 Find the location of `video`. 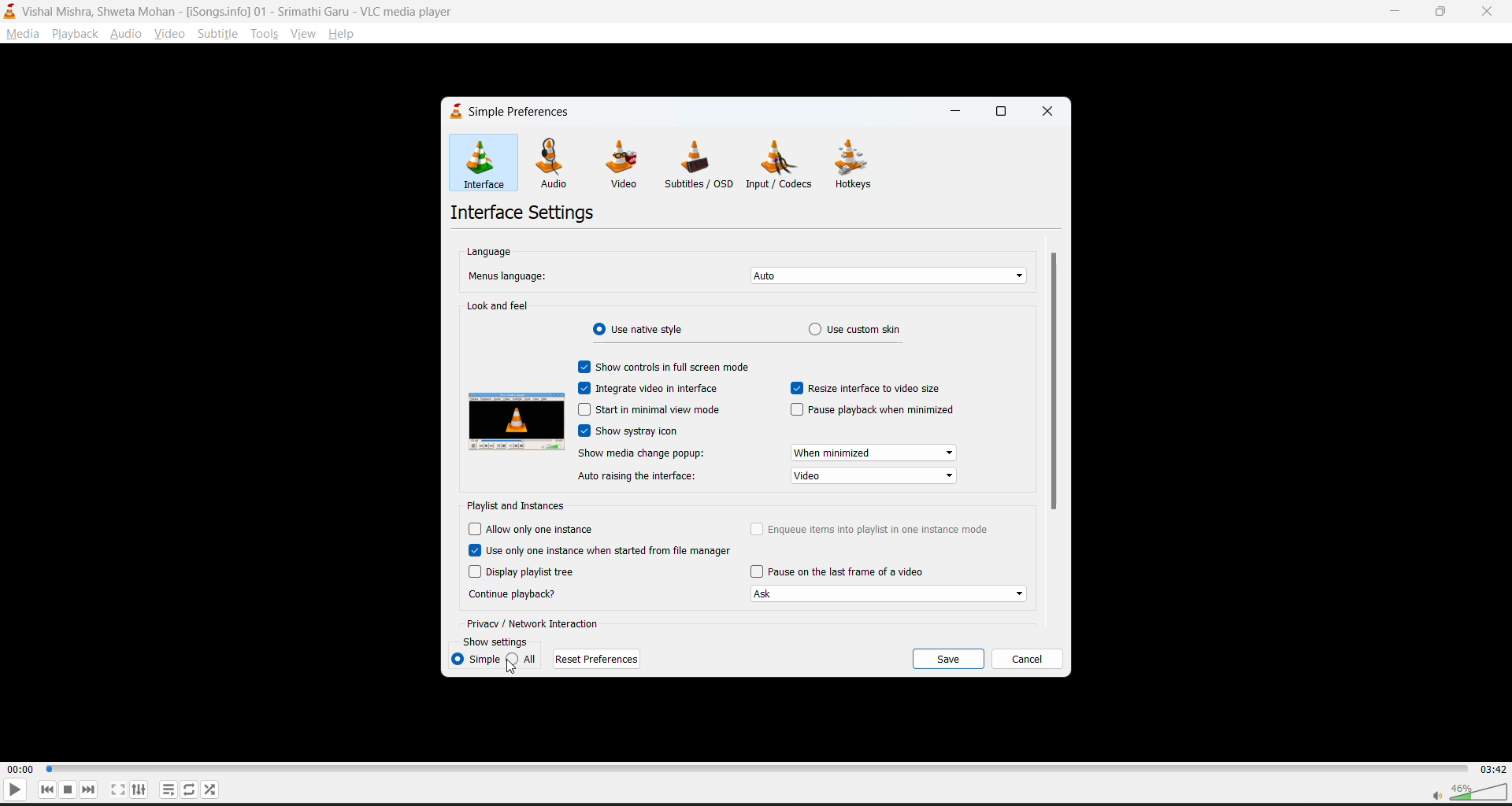

video is located at coordinates (629, 163).